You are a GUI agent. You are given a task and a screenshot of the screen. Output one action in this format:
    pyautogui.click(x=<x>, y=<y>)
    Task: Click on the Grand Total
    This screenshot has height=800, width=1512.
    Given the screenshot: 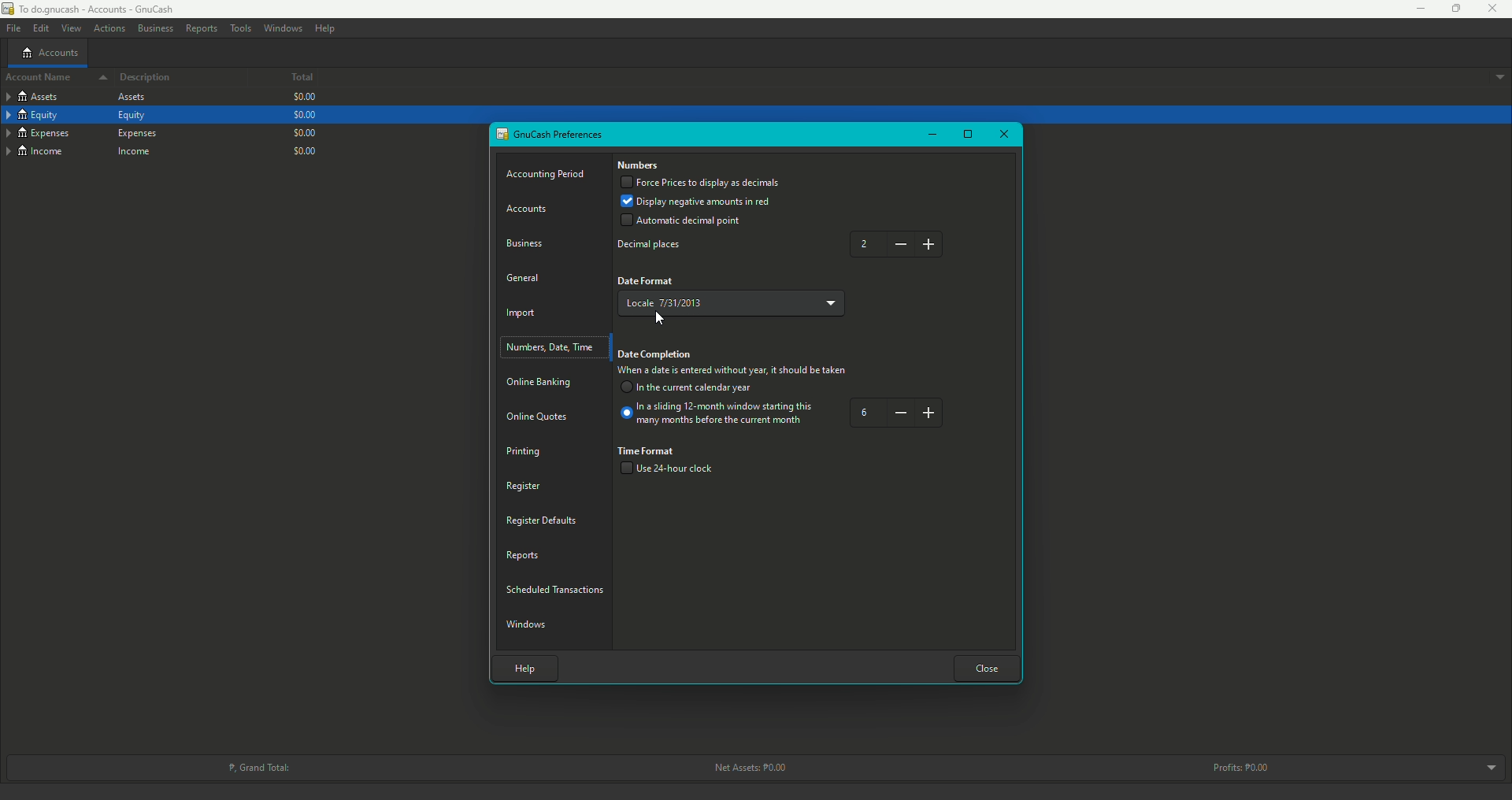 What is the action you would take?
    pyautogui.click(x=258, y=766)
    